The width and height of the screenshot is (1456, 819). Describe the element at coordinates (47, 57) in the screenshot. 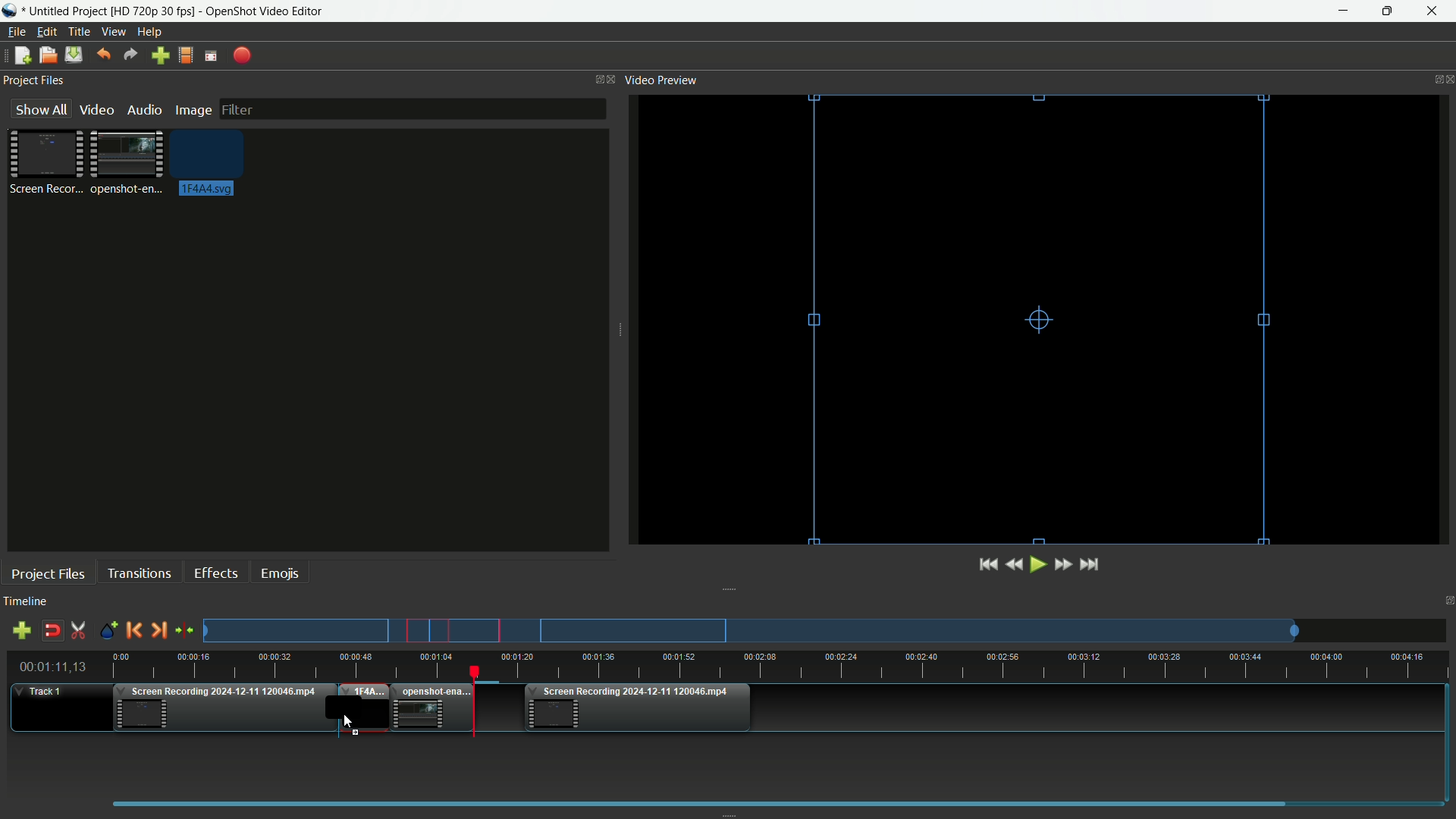

I see `Open file` at that location.